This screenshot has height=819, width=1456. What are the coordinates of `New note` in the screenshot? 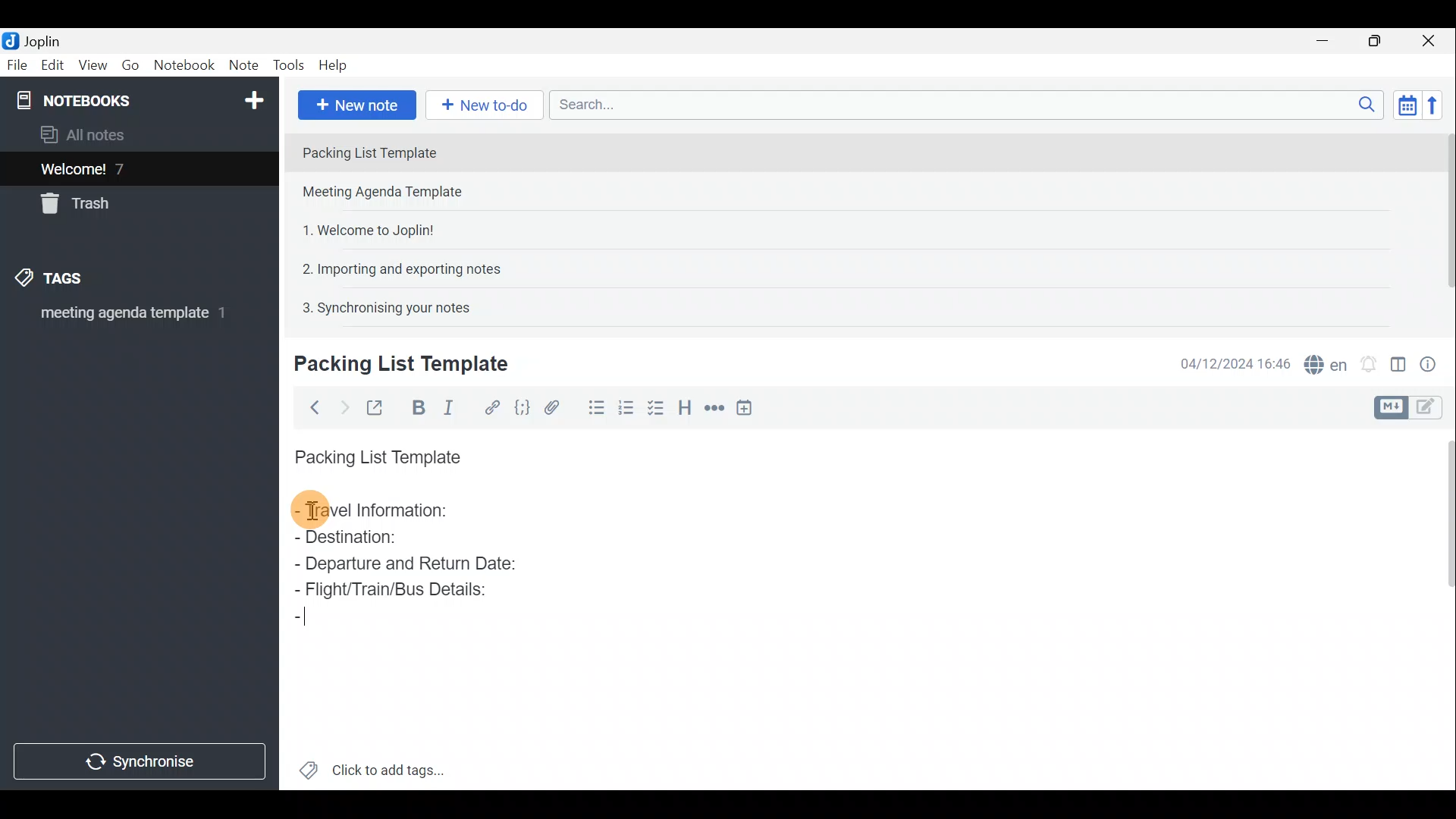 It's located at (356, 103).